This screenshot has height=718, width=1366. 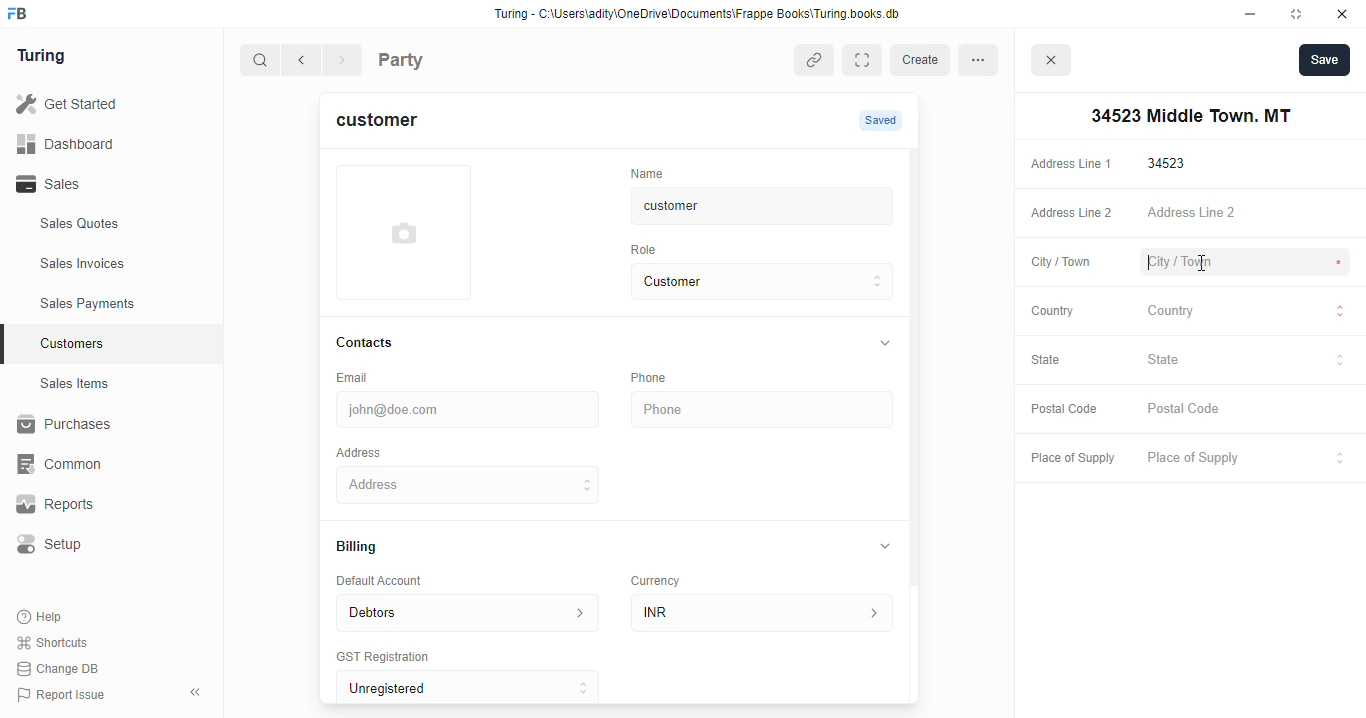 I want to click on Party, so click(x=442, y=58).